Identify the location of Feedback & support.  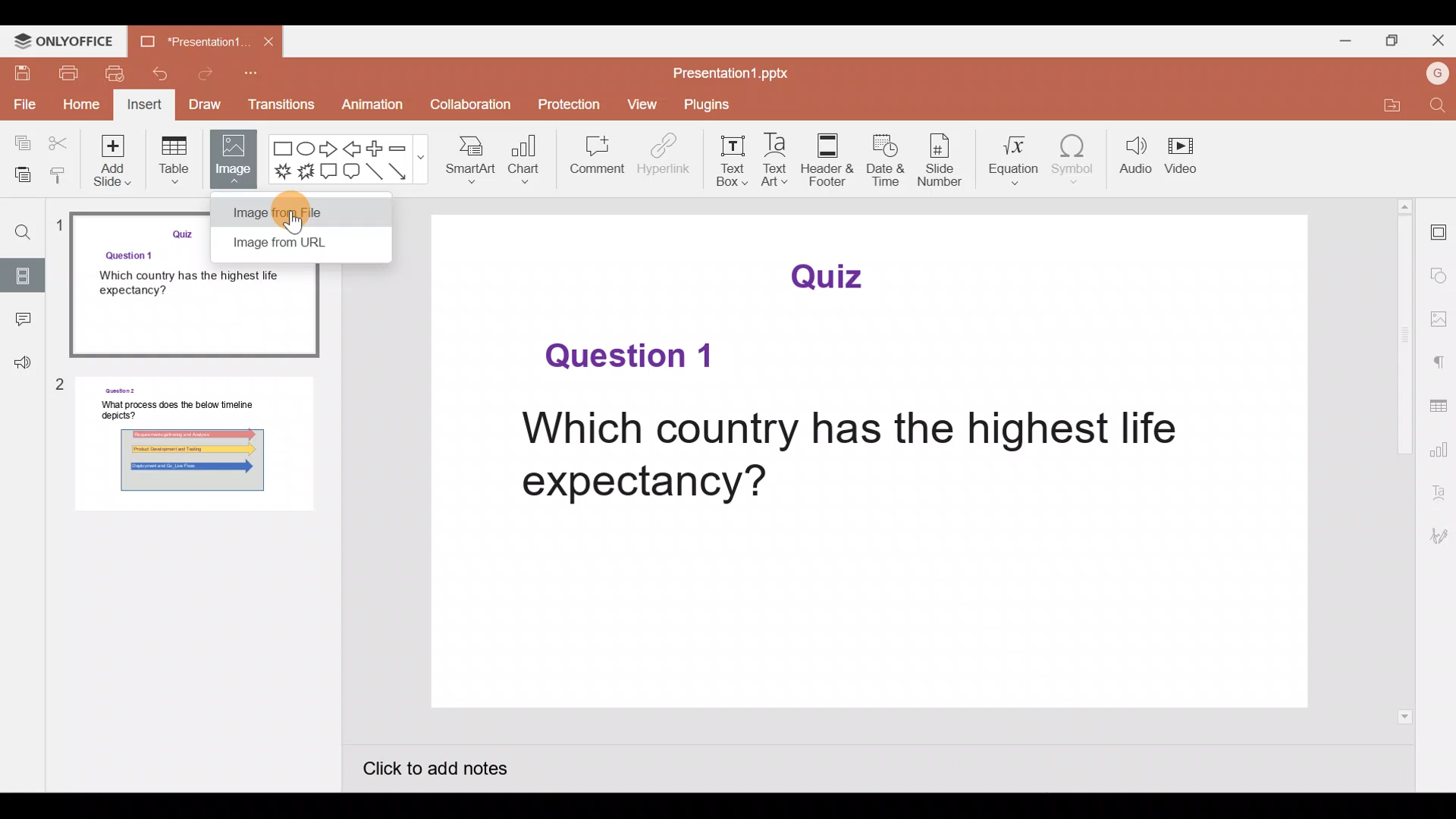
(17, 364).